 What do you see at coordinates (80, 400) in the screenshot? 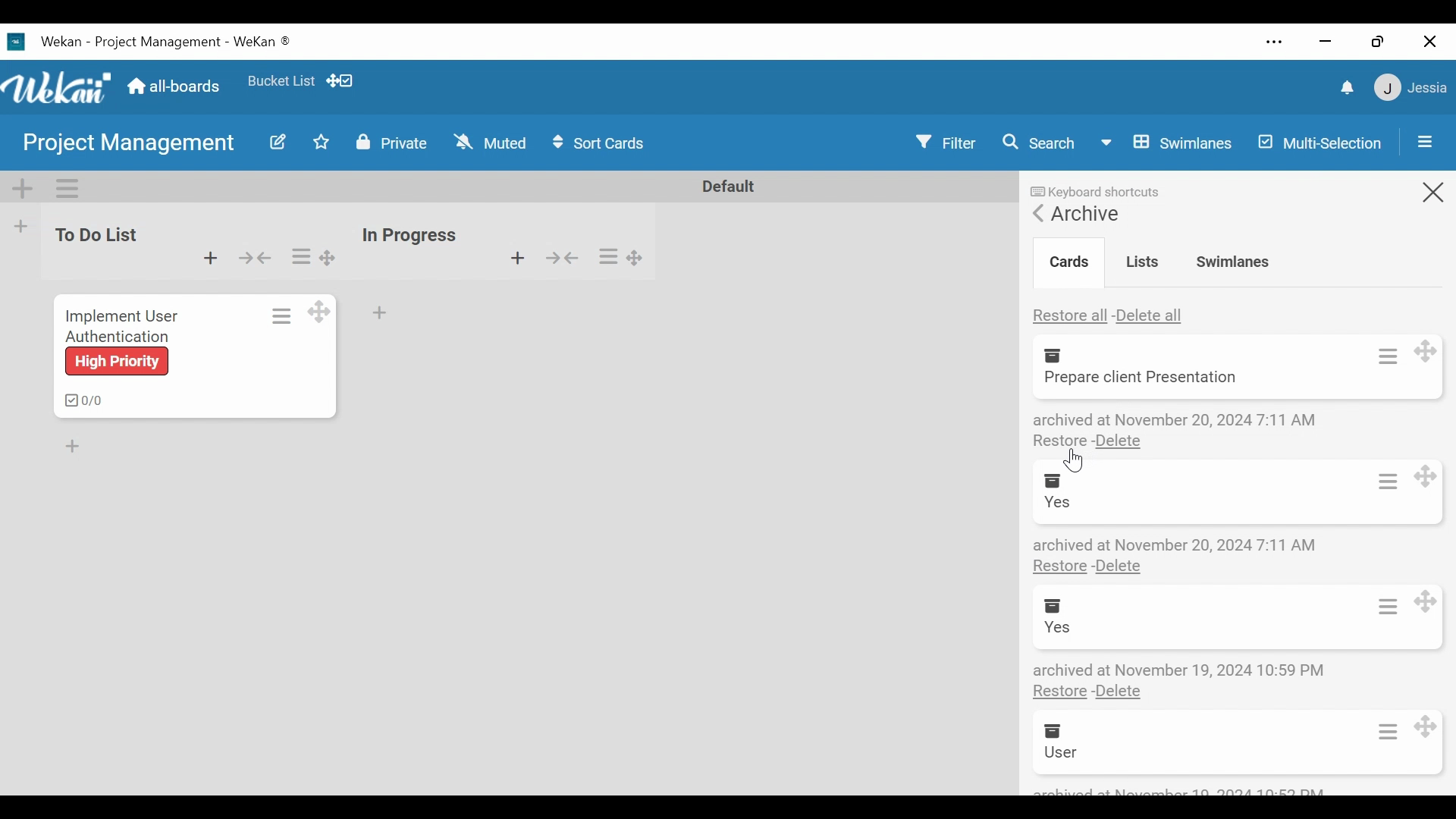
I see `checklist` at bounding box center [80, 400].